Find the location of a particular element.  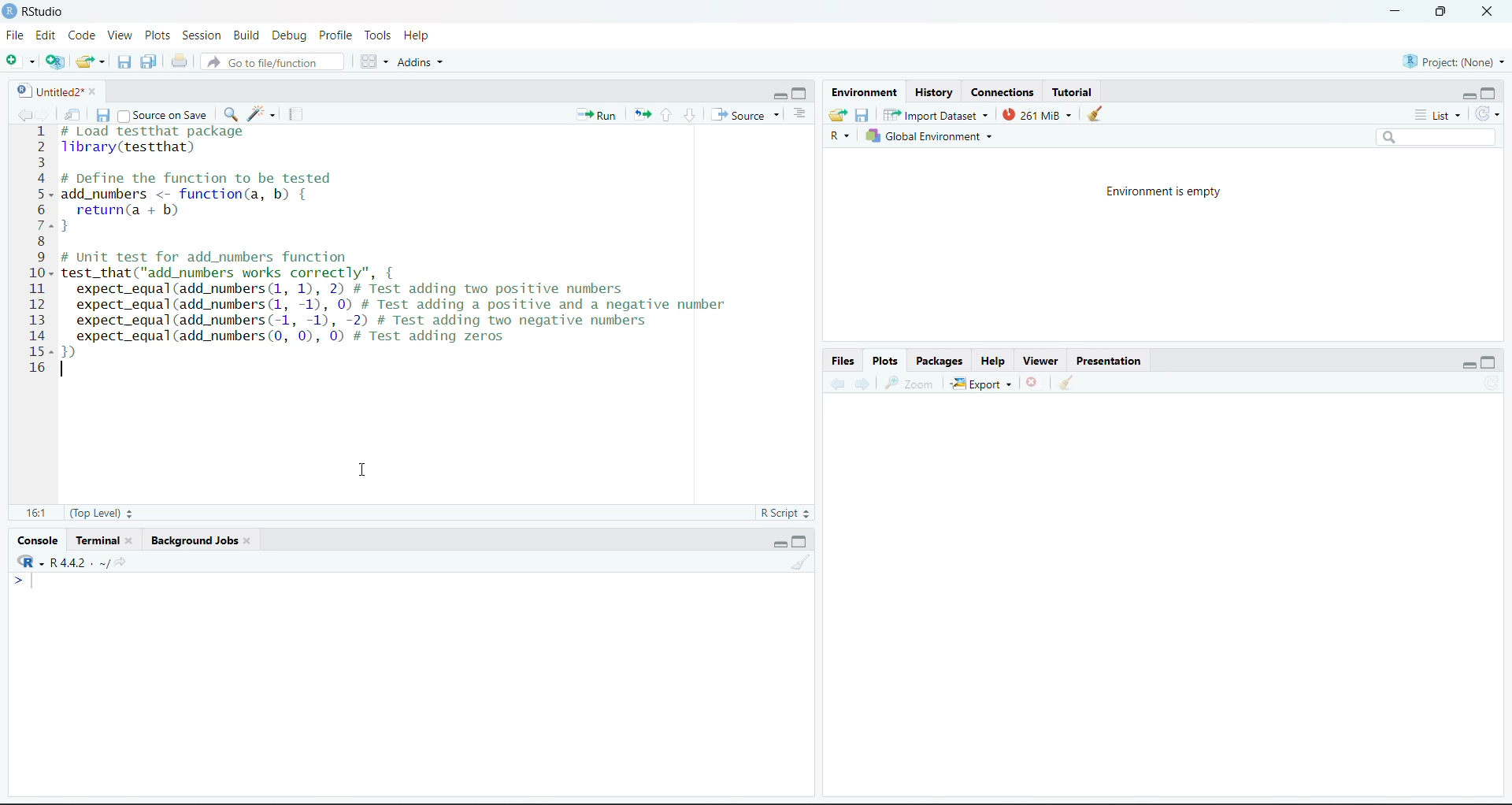

Save all the open documents is located at coordinates (150, 61).